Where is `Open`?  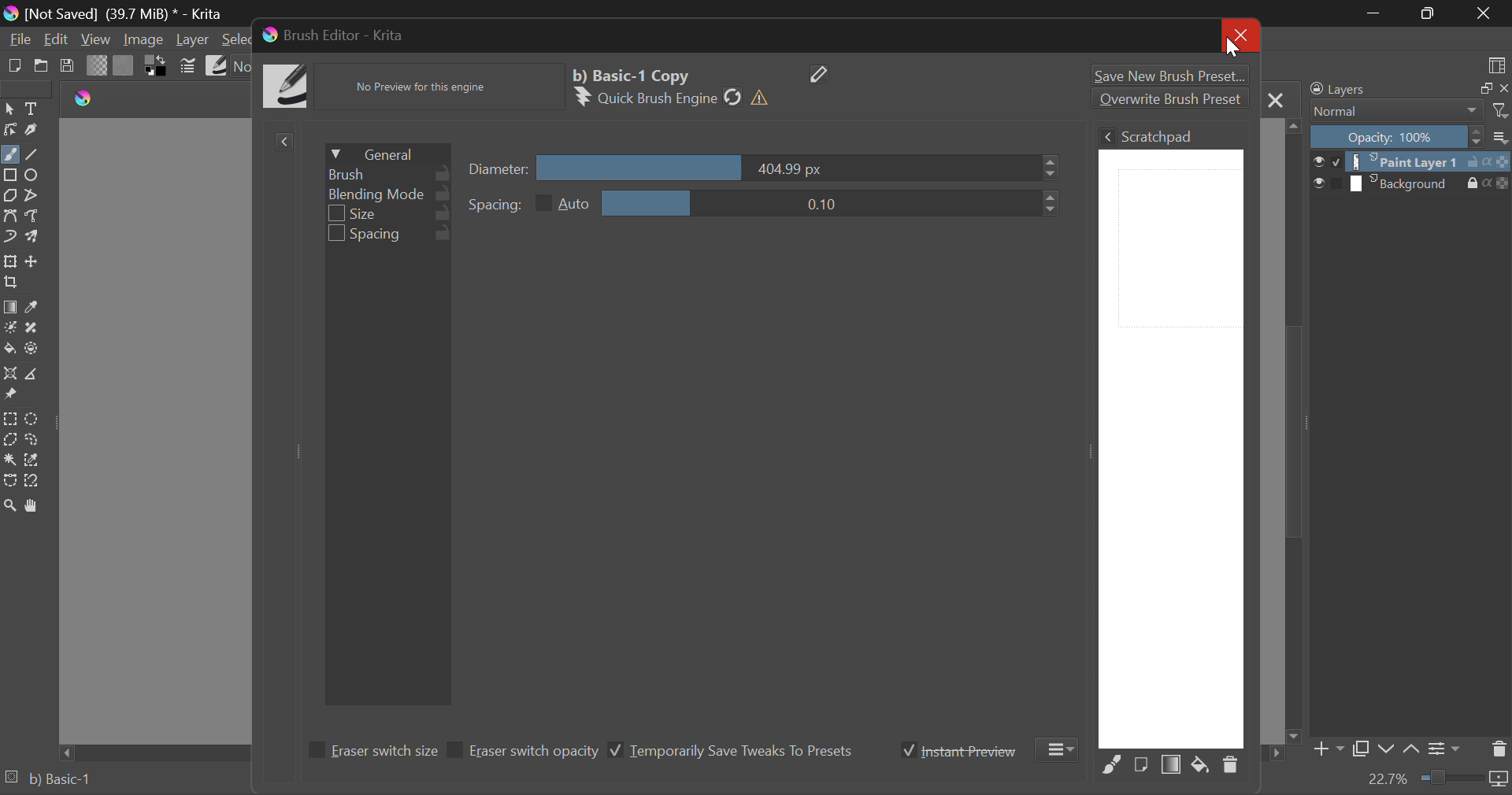
Open is located at coordinates (39, 65).